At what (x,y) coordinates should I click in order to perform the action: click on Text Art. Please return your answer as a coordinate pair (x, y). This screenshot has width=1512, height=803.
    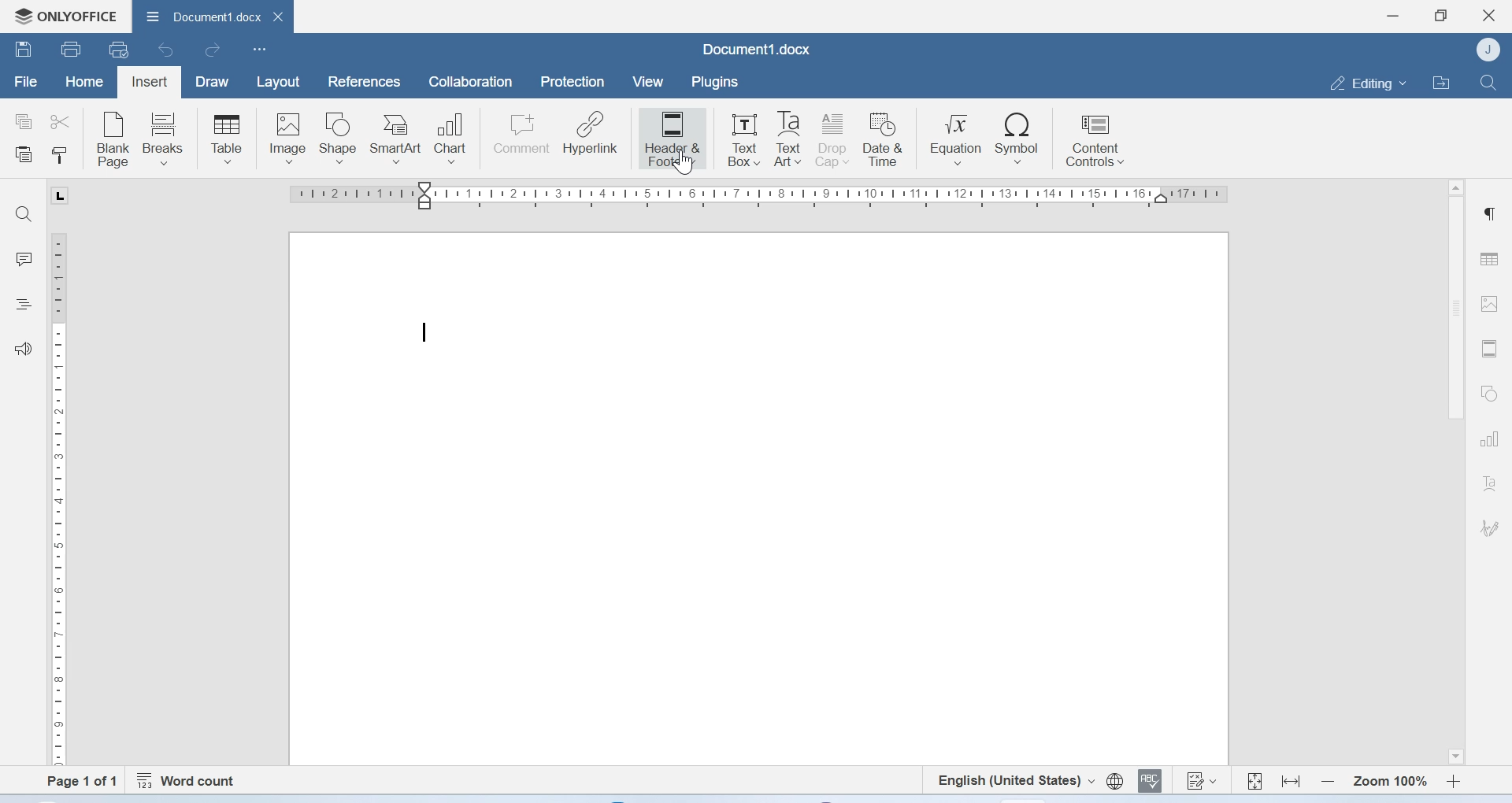
    Looking at the image, I should click on (788, 140).